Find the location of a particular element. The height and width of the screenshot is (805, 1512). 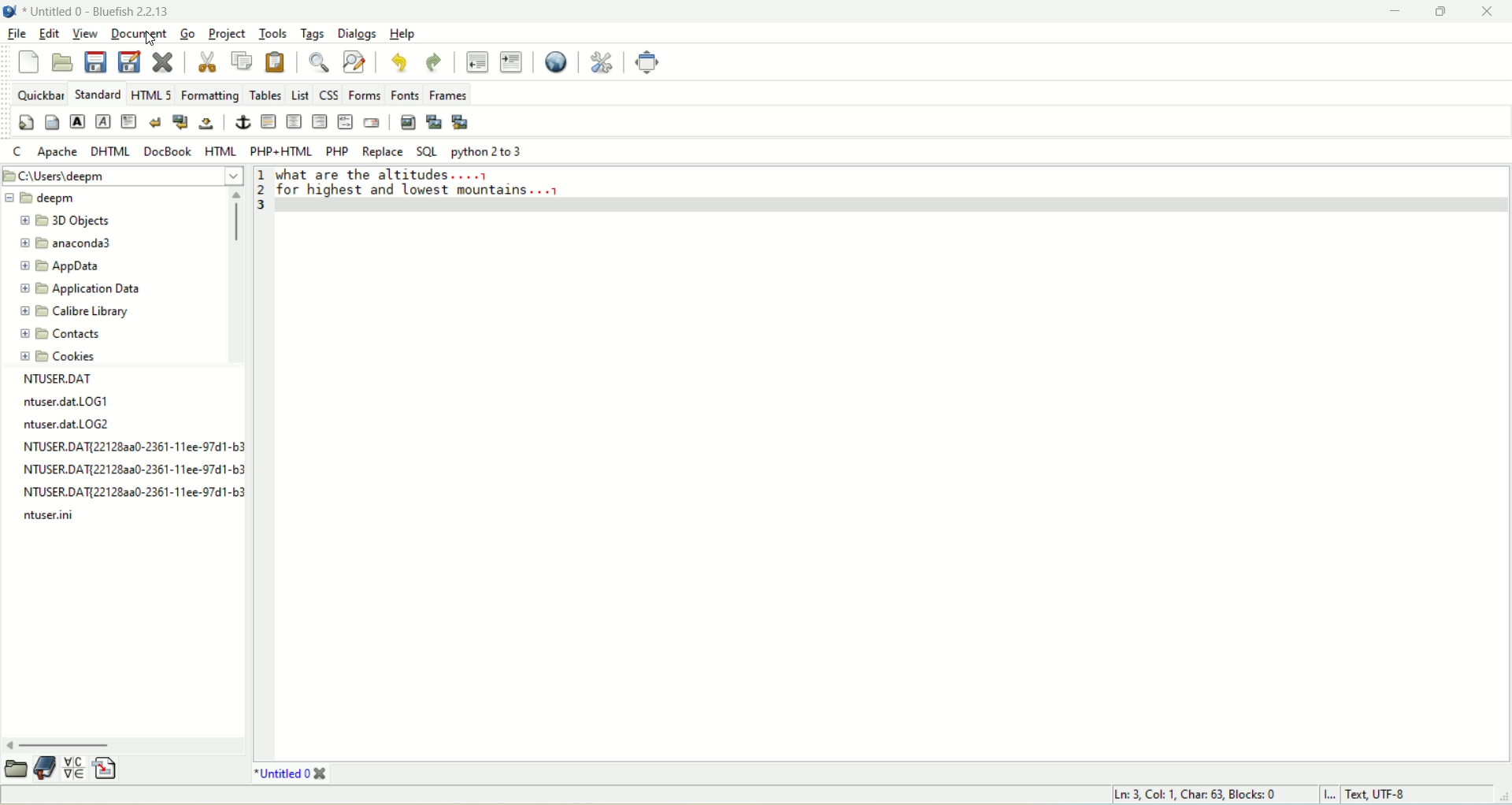

document is located at coordinates (140, 35).